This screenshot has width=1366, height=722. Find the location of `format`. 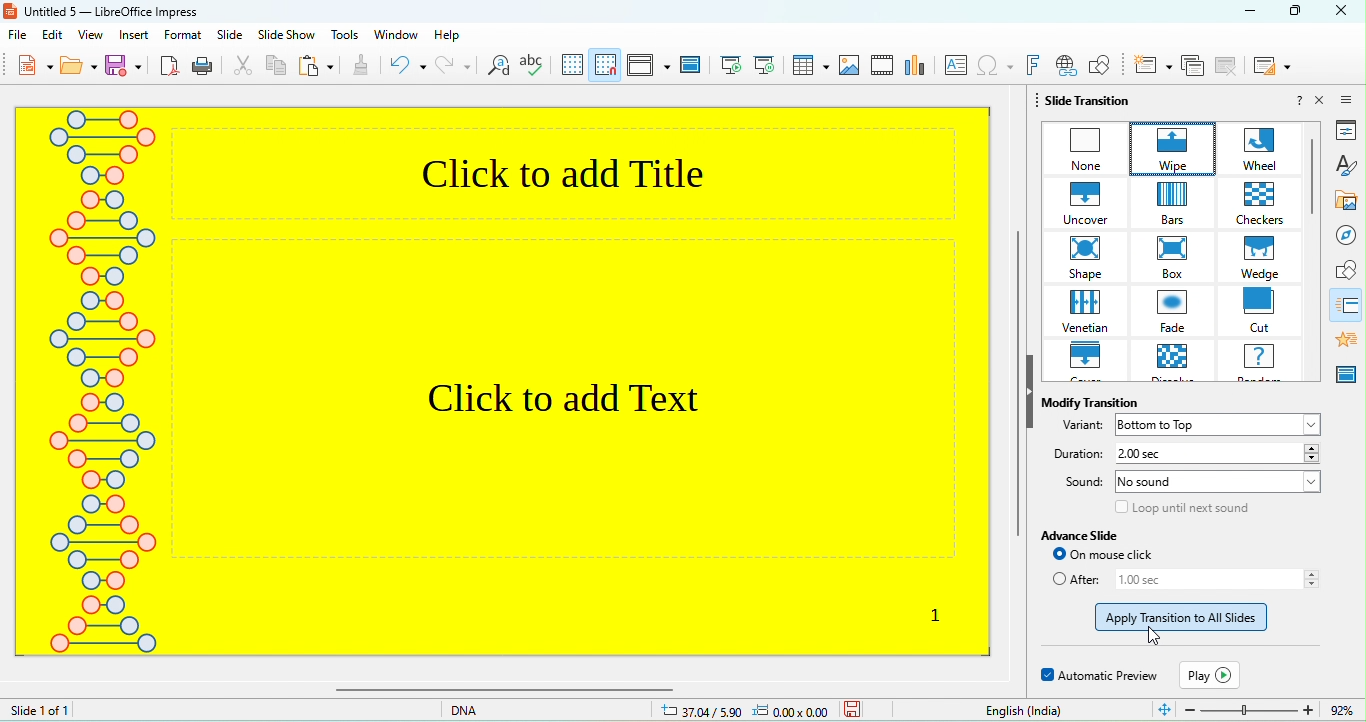

format is located at coordinates (183, 35).